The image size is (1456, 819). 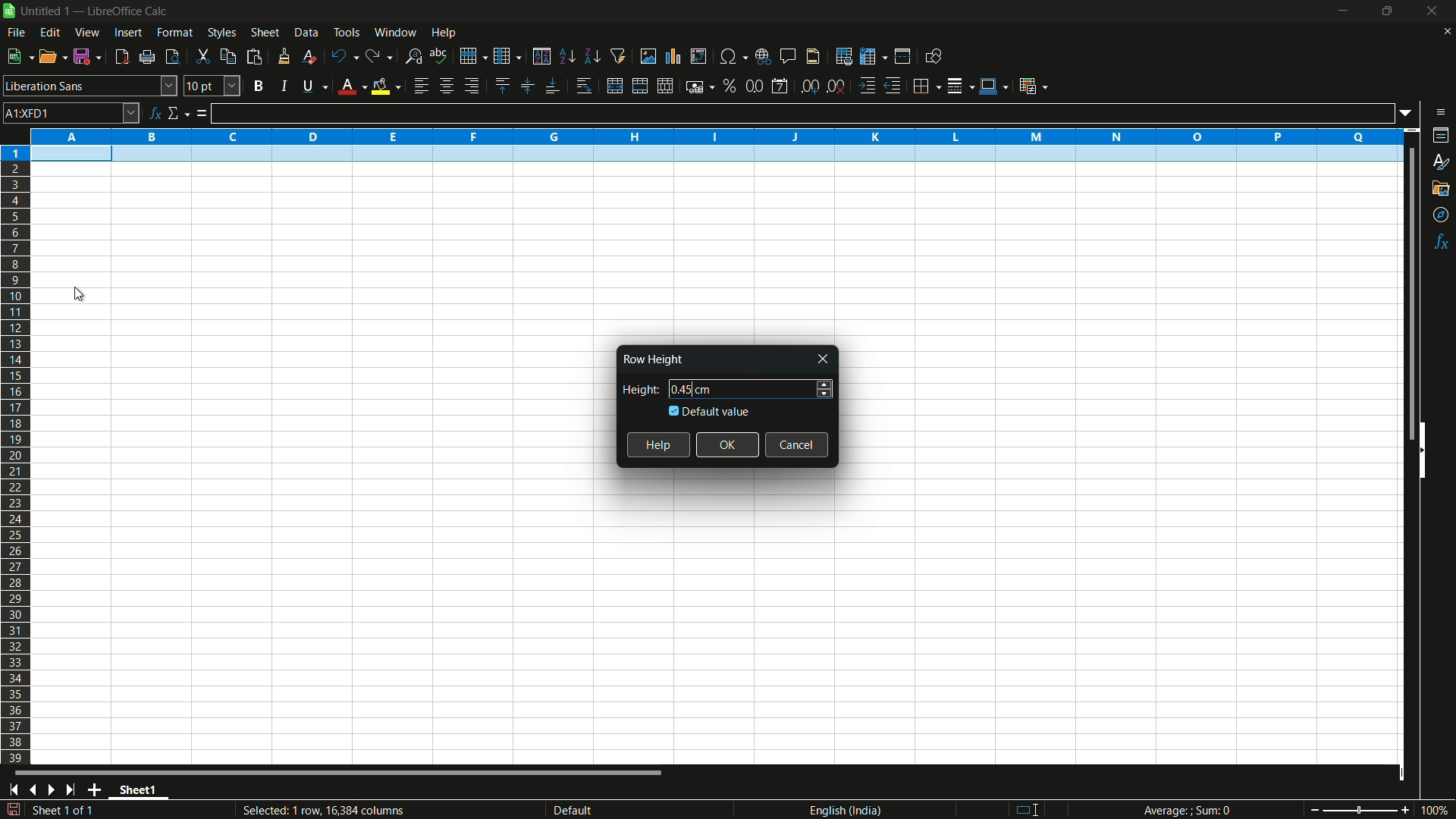 What do you see at coordinates (844, 56) in the screenshot?
I see `print area` at bounding box center [844, 56].